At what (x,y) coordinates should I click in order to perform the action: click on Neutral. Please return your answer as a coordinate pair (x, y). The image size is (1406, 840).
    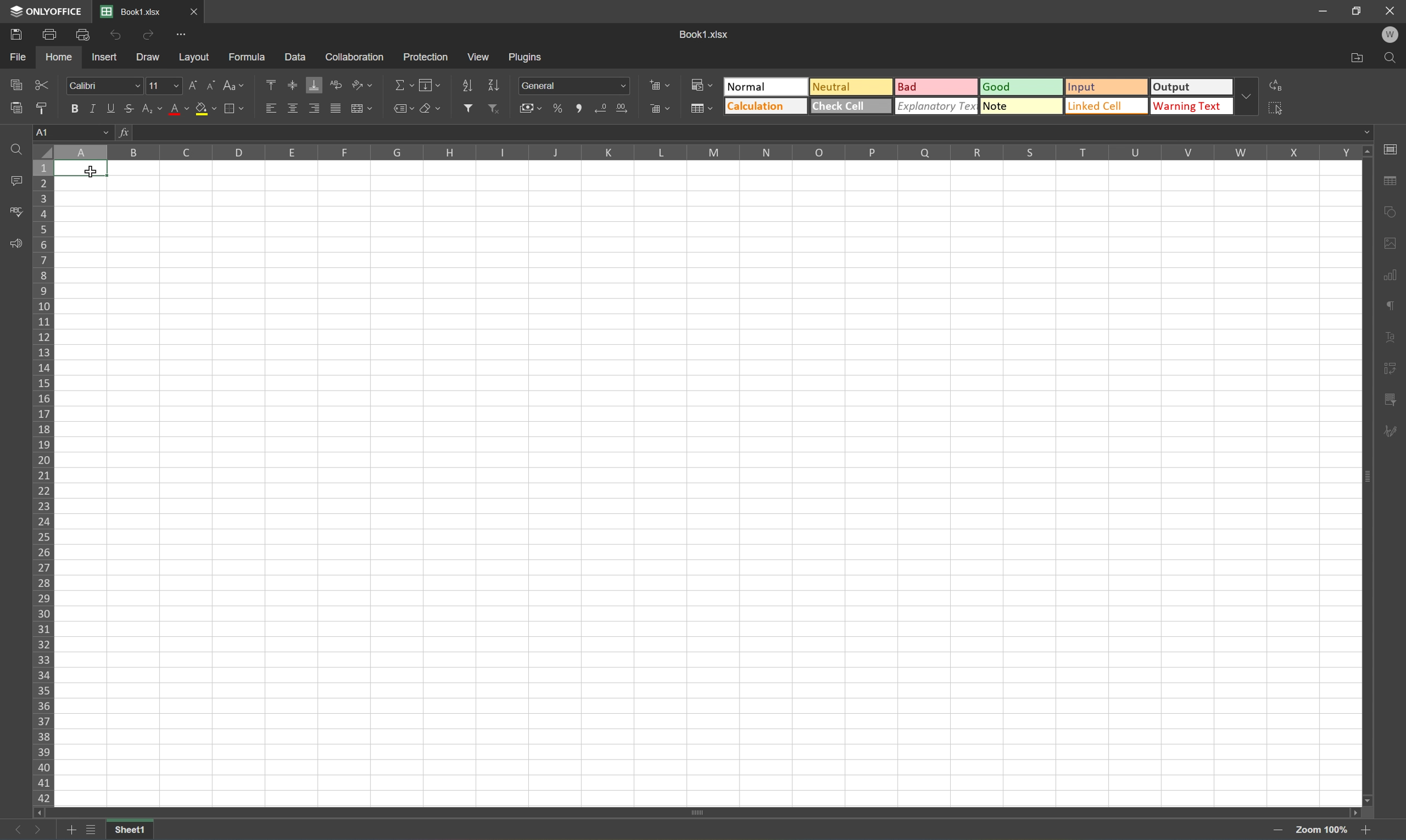
    Looking at the image, I should click on (848, 85).